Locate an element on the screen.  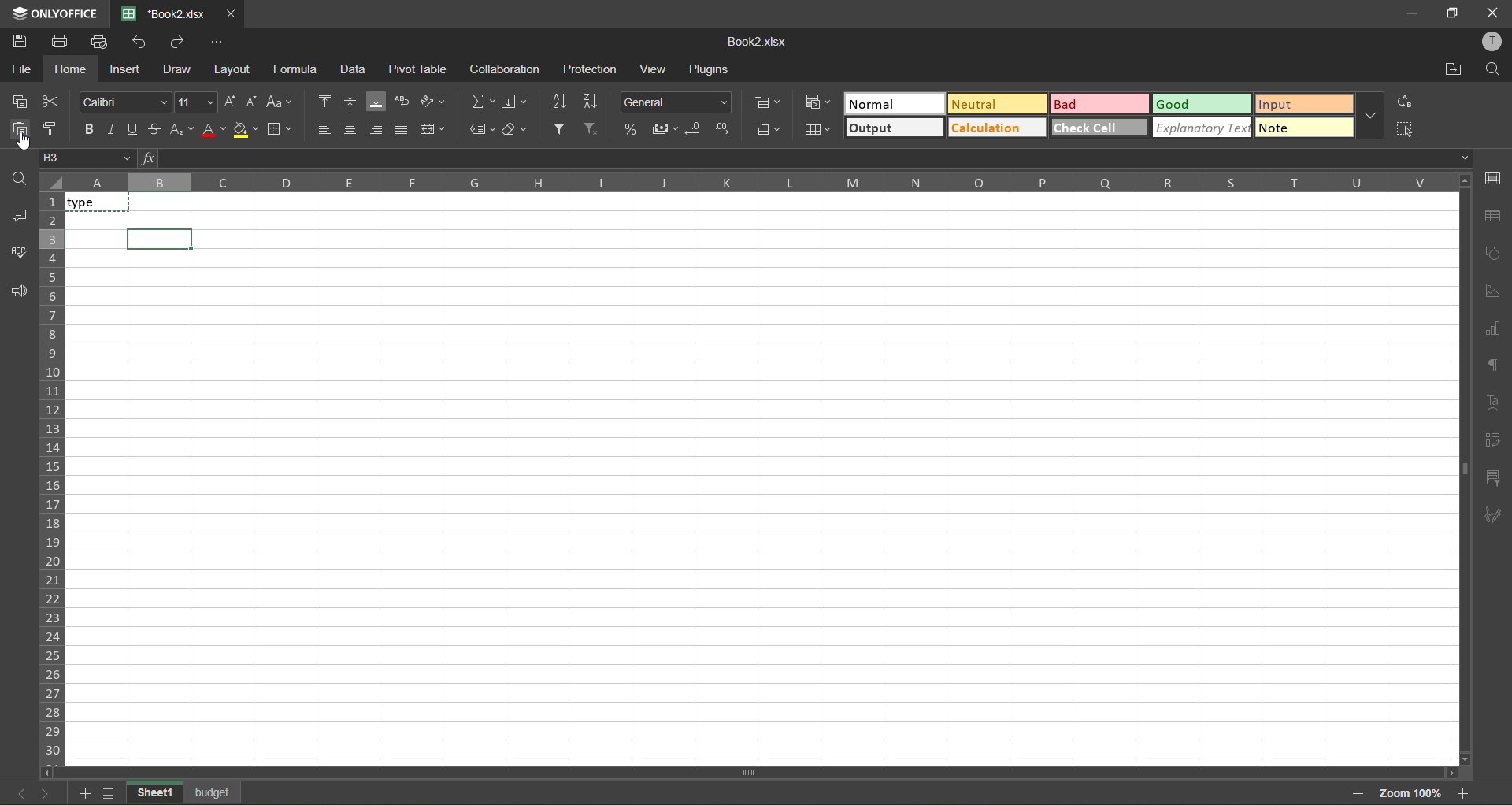
percent is located at coordinates (628, 128).